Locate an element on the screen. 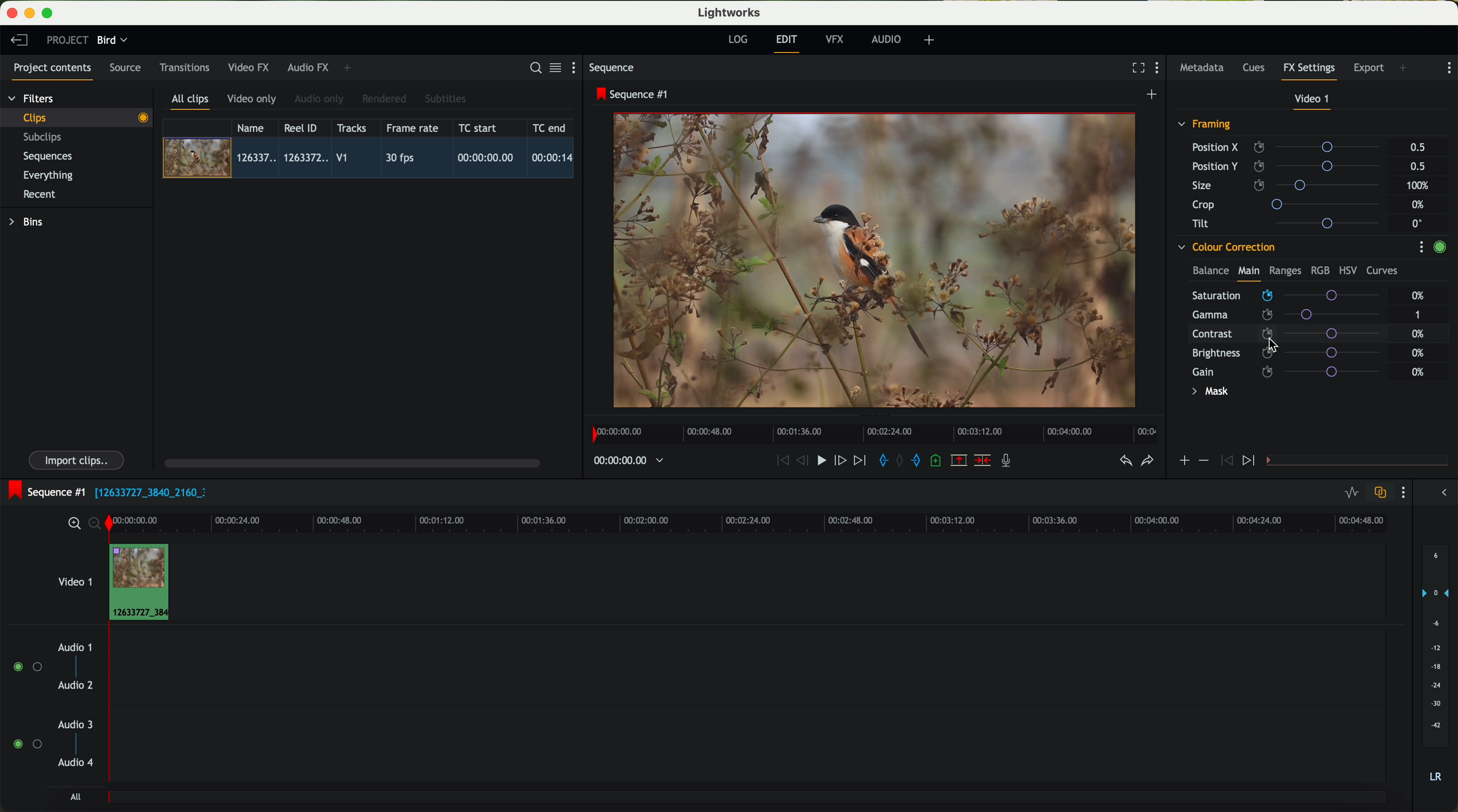  timeline is located at coordinates (778, 522).